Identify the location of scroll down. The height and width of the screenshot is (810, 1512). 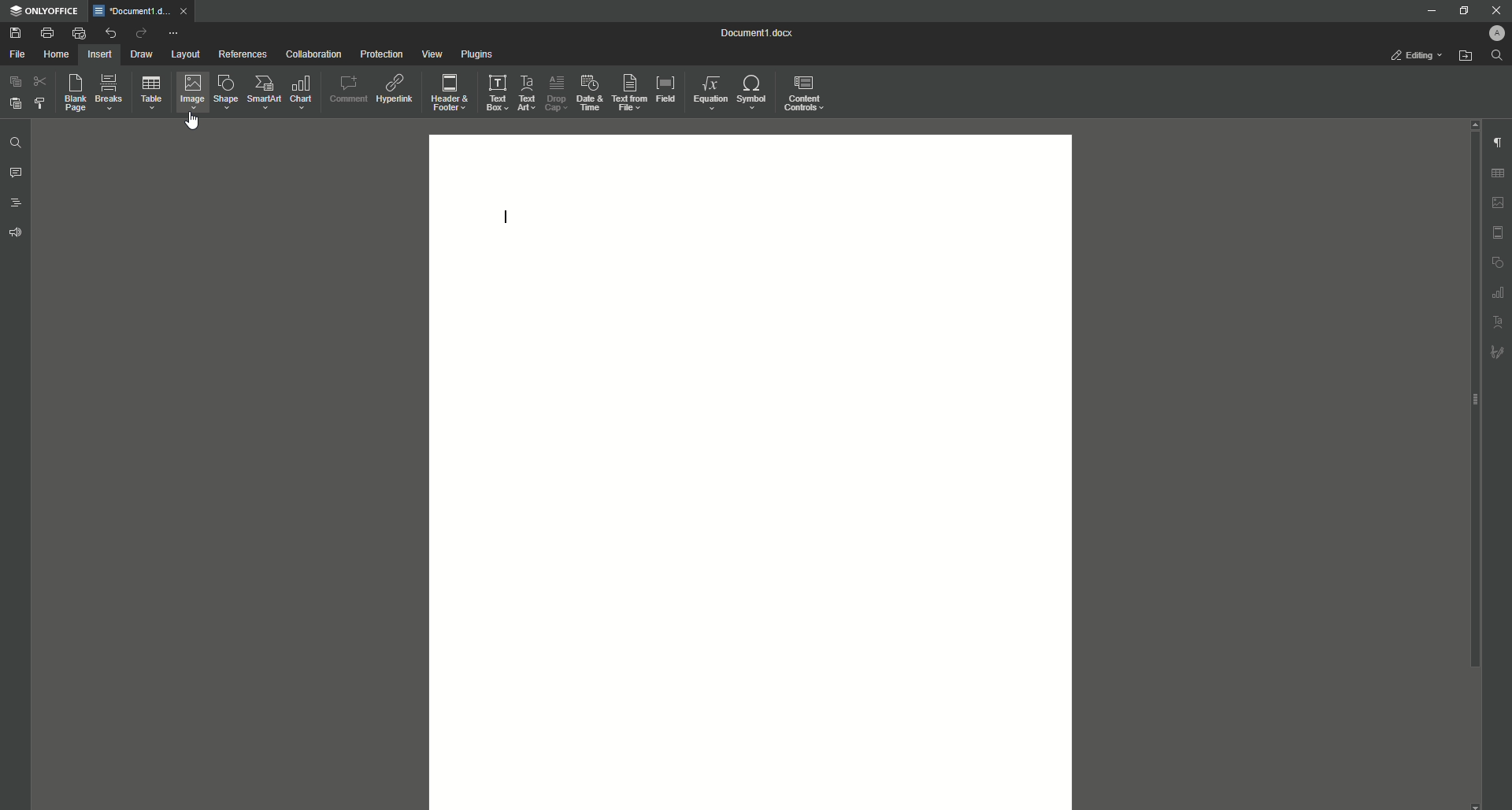
(1475, 804).